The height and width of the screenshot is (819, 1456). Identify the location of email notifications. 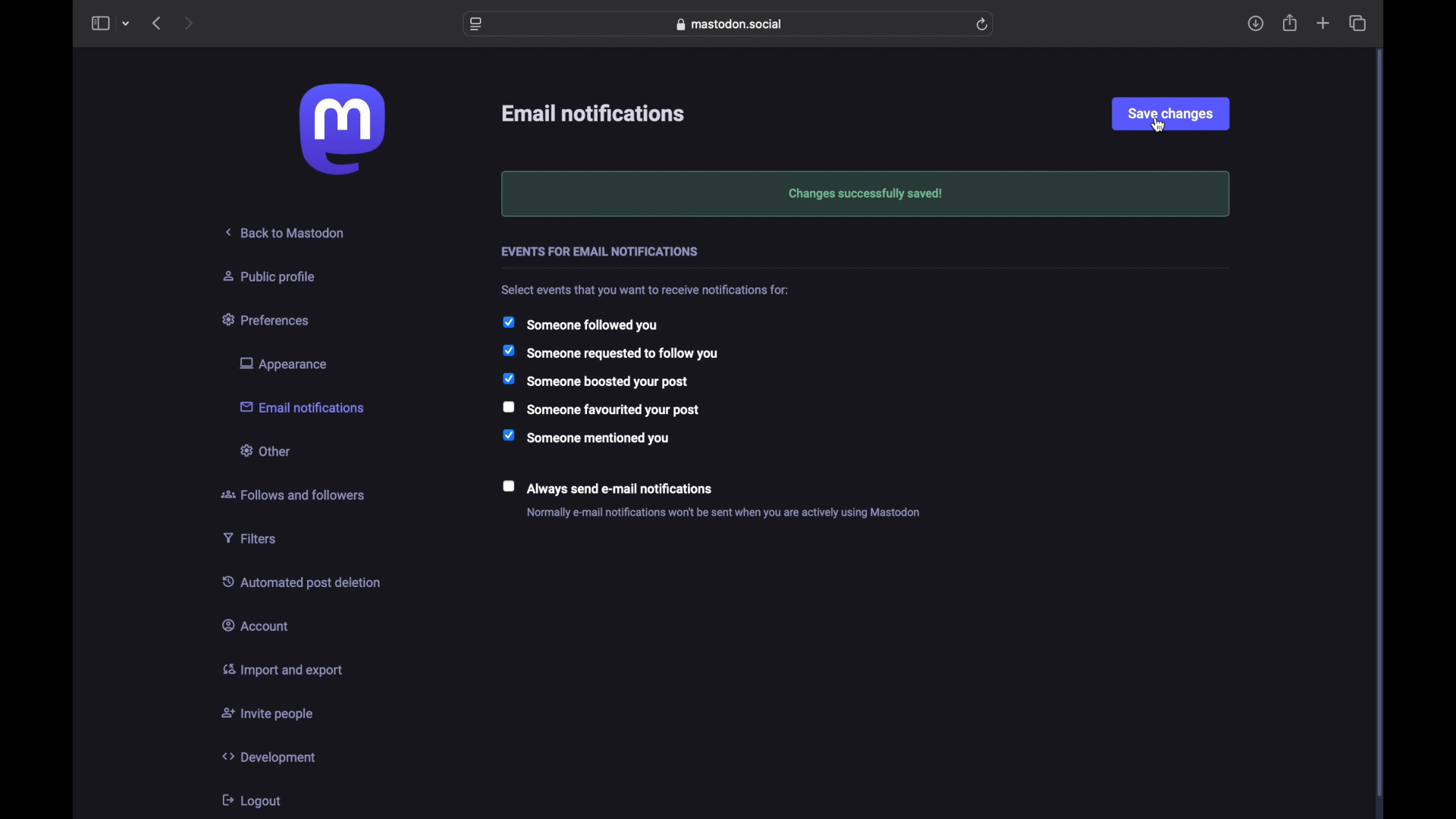
(595, 114).